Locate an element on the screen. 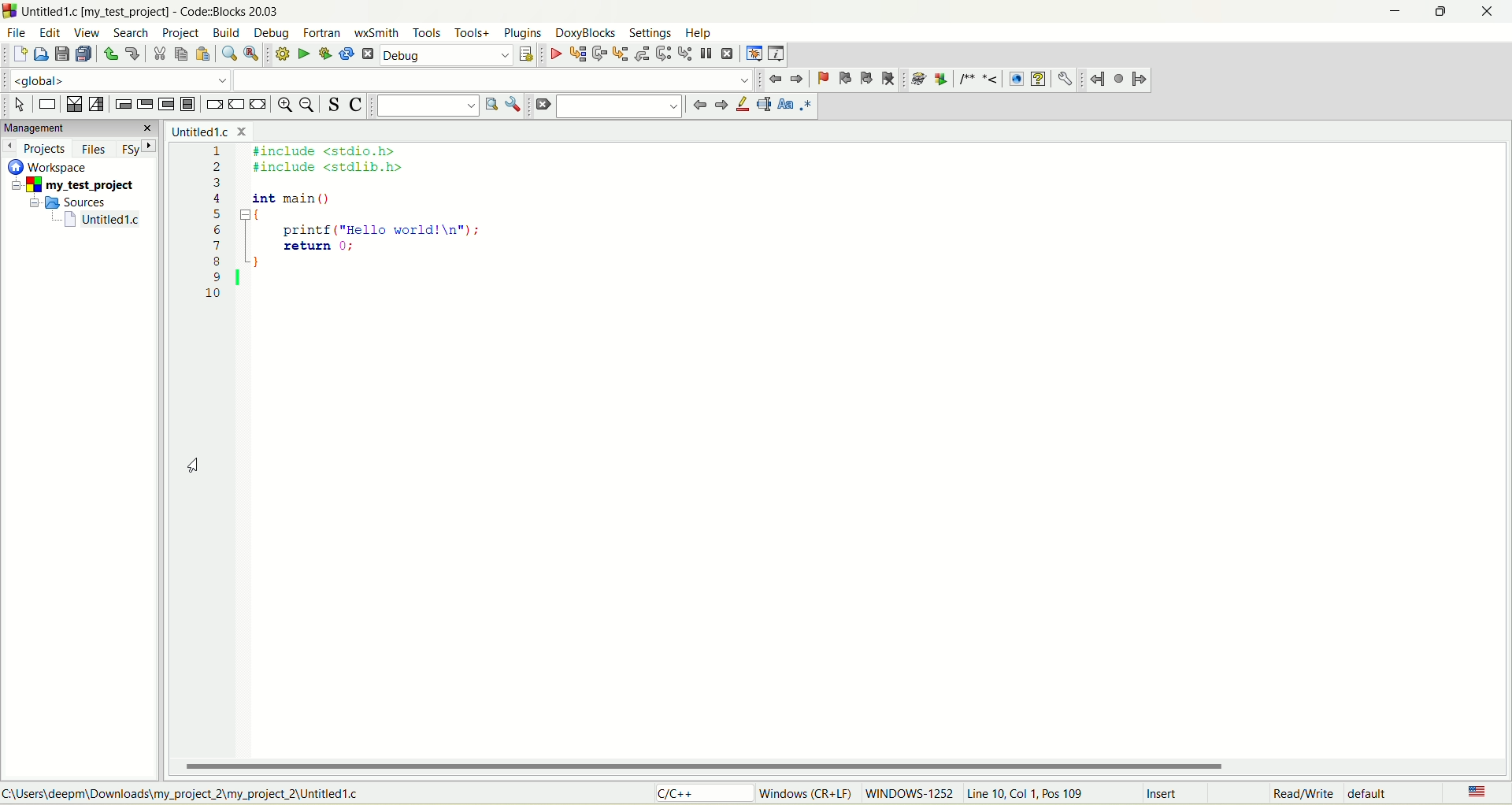 This screenshot has width=1512, height=805. abort is located at coordinates (368, 54).